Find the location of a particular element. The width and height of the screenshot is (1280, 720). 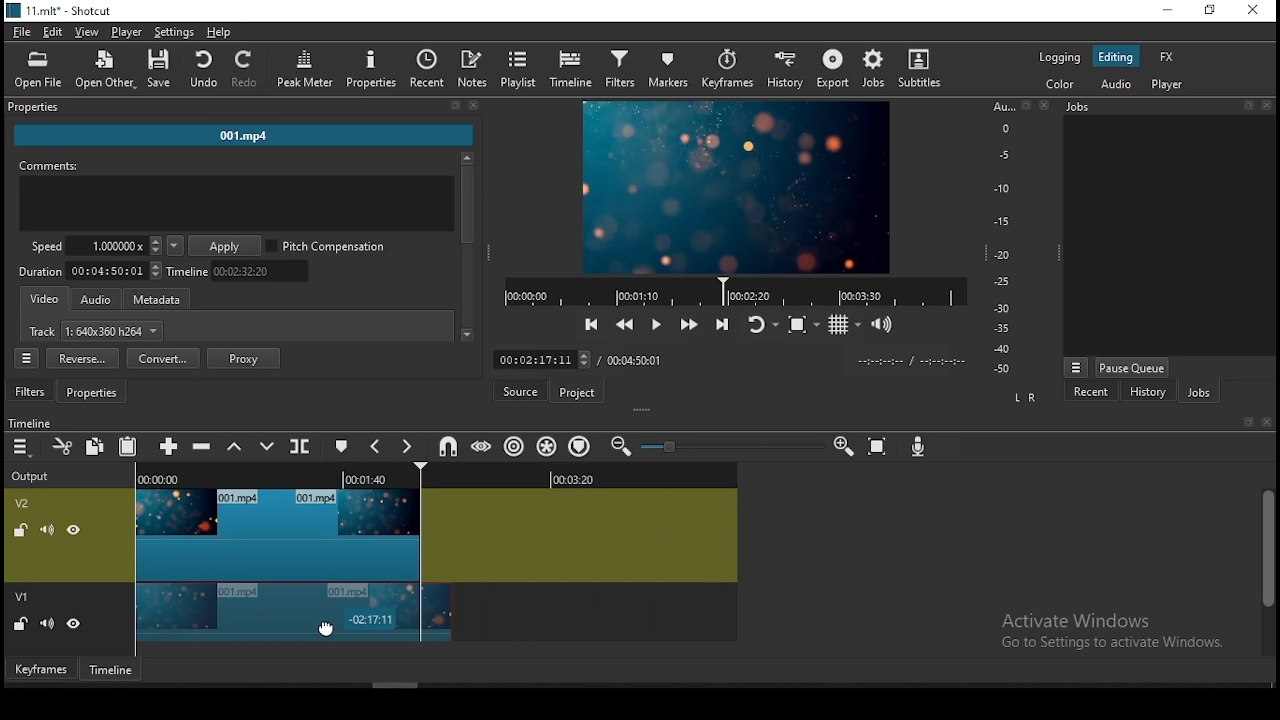

skip to the next point is located at coordinates (726, 323).